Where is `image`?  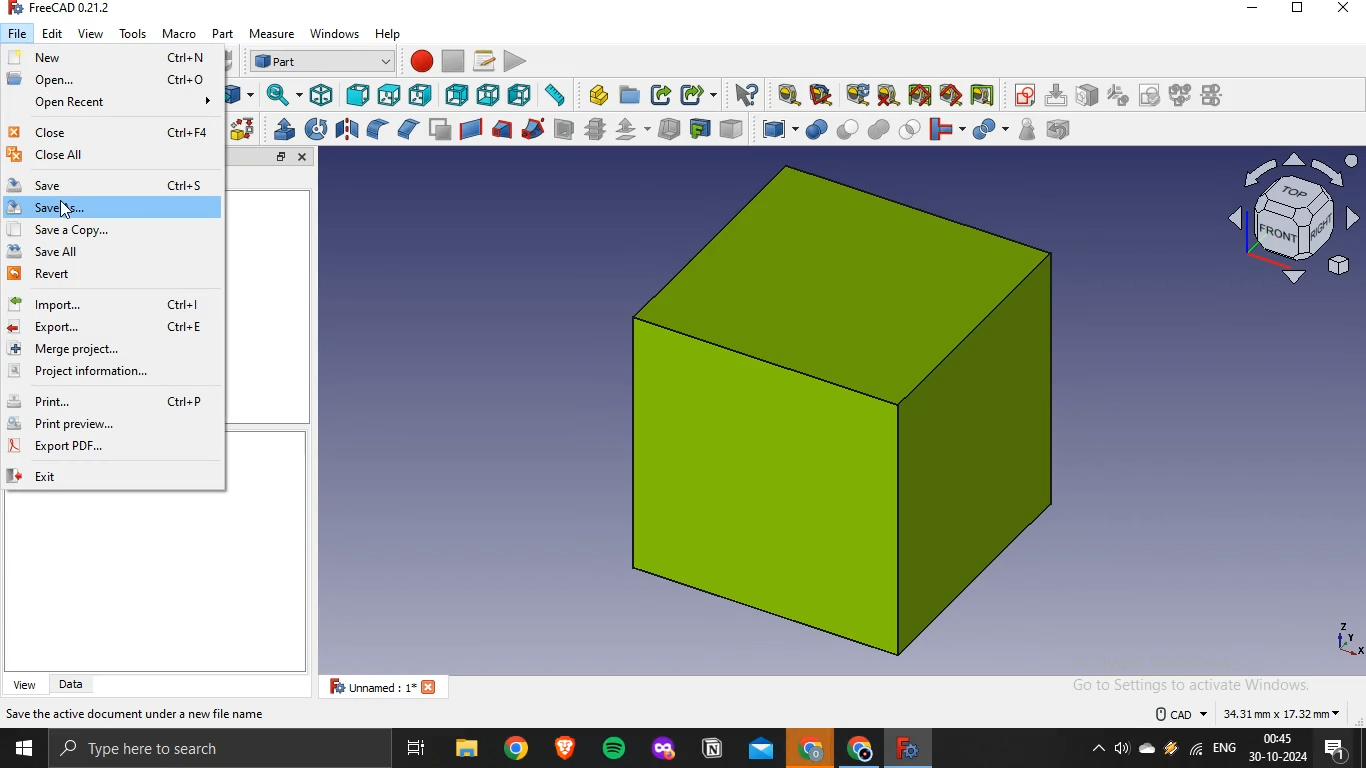
image is located at coordinates (854, 407).